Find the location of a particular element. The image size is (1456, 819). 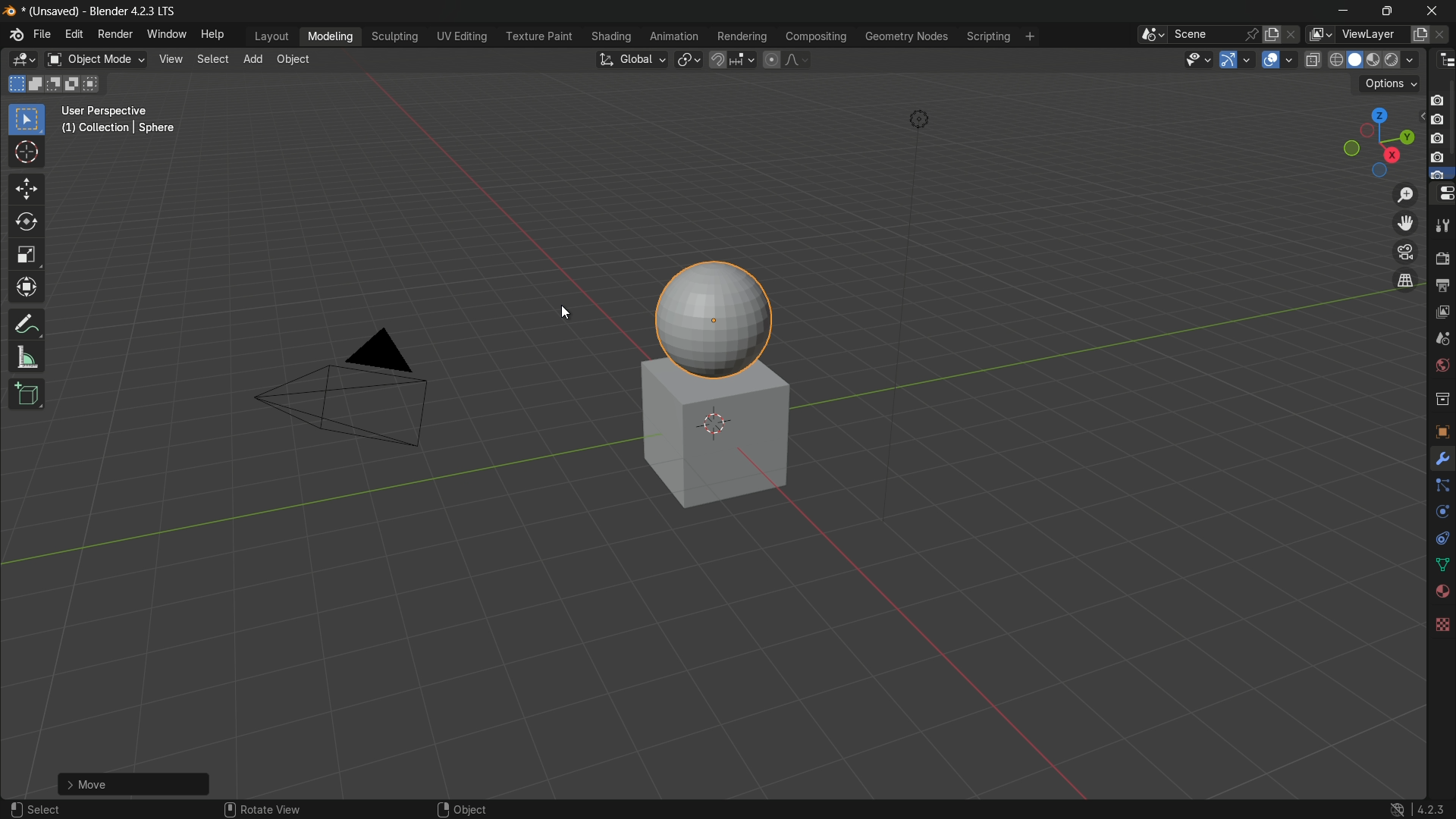

add new layer is located at coordinates (1421, 35).